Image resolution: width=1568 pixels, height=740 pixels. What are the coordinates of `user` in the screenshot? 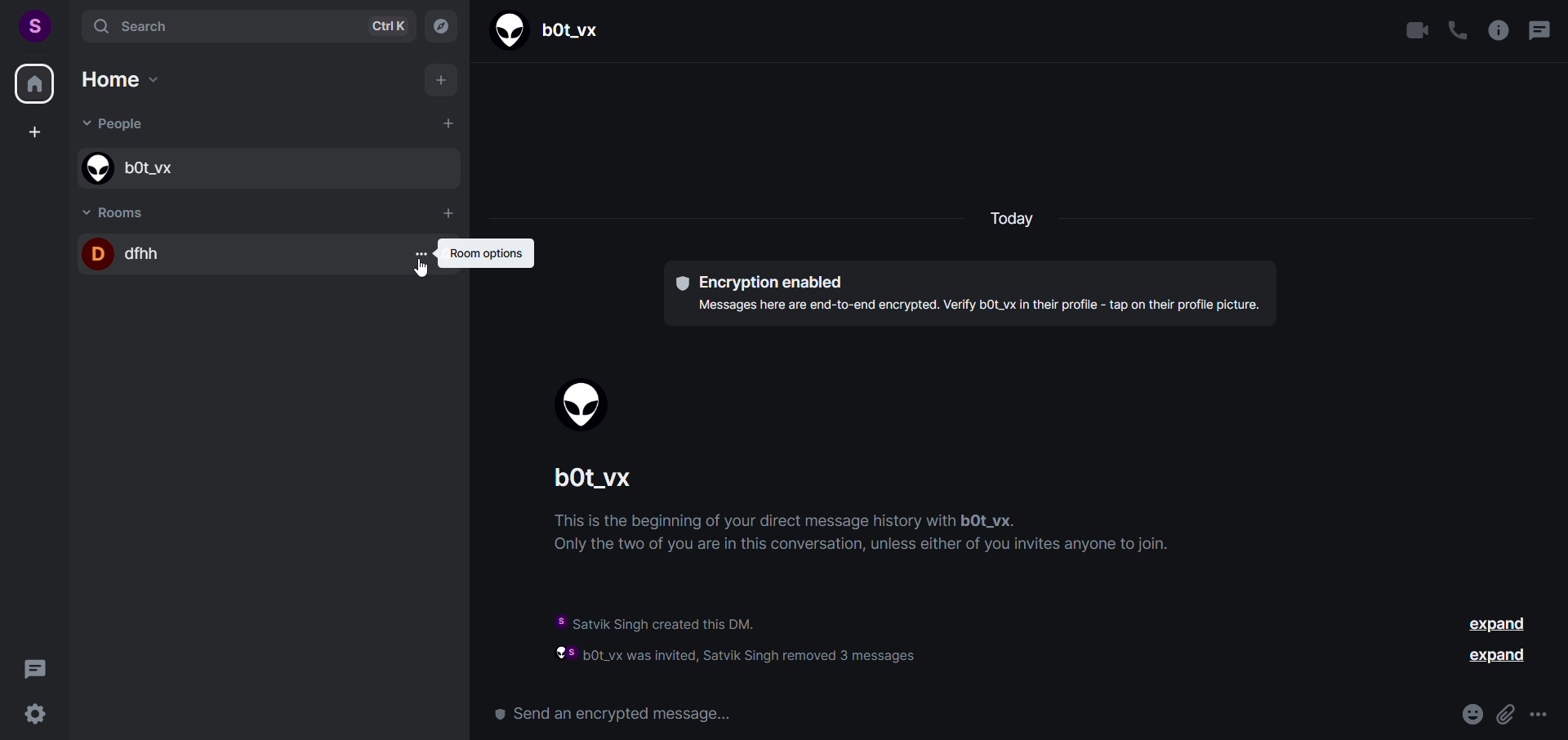 It's located at (33, 24).